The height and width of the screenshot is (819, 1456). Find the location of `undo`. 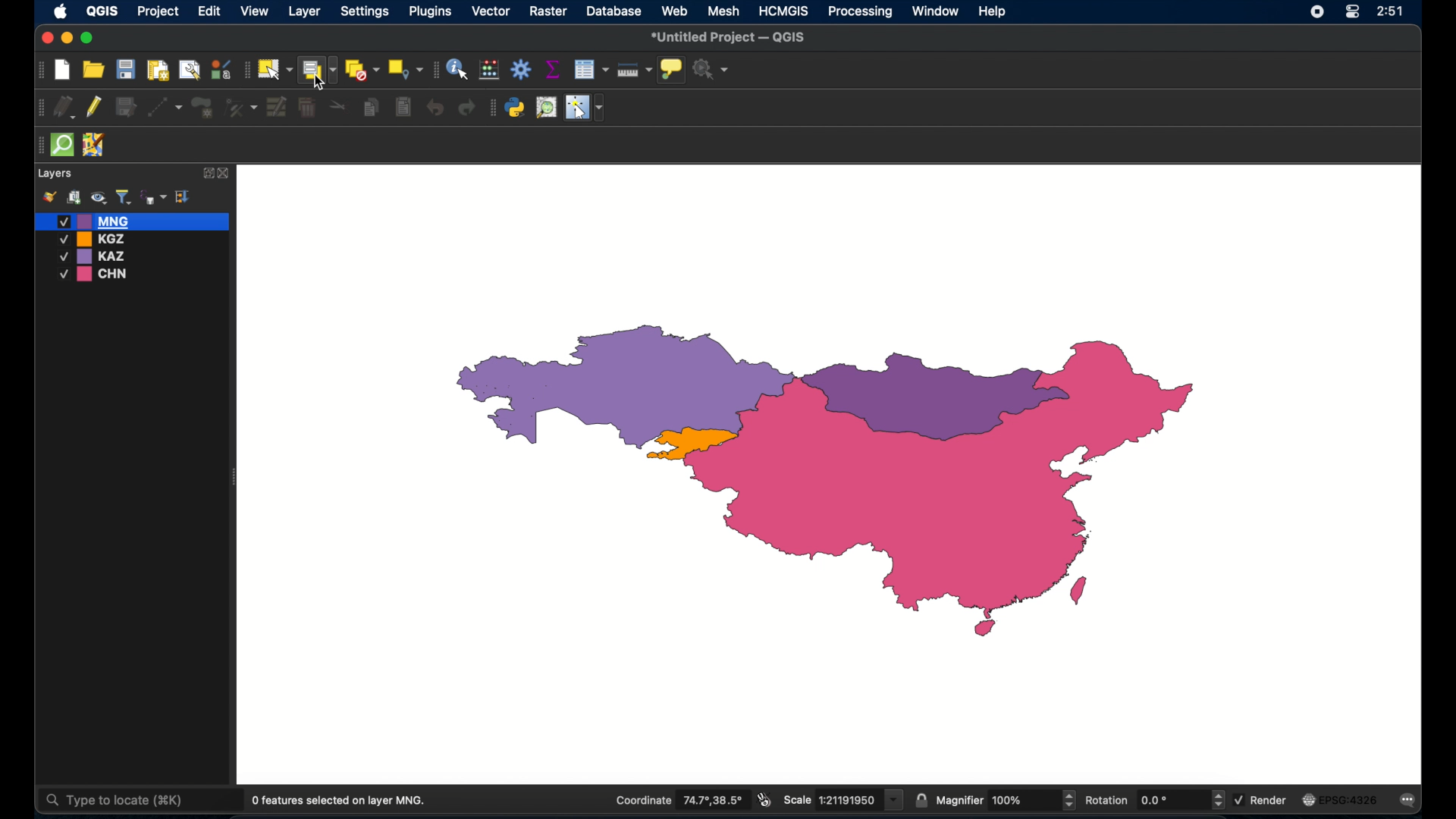

undo is located at coordinates (434, 108).